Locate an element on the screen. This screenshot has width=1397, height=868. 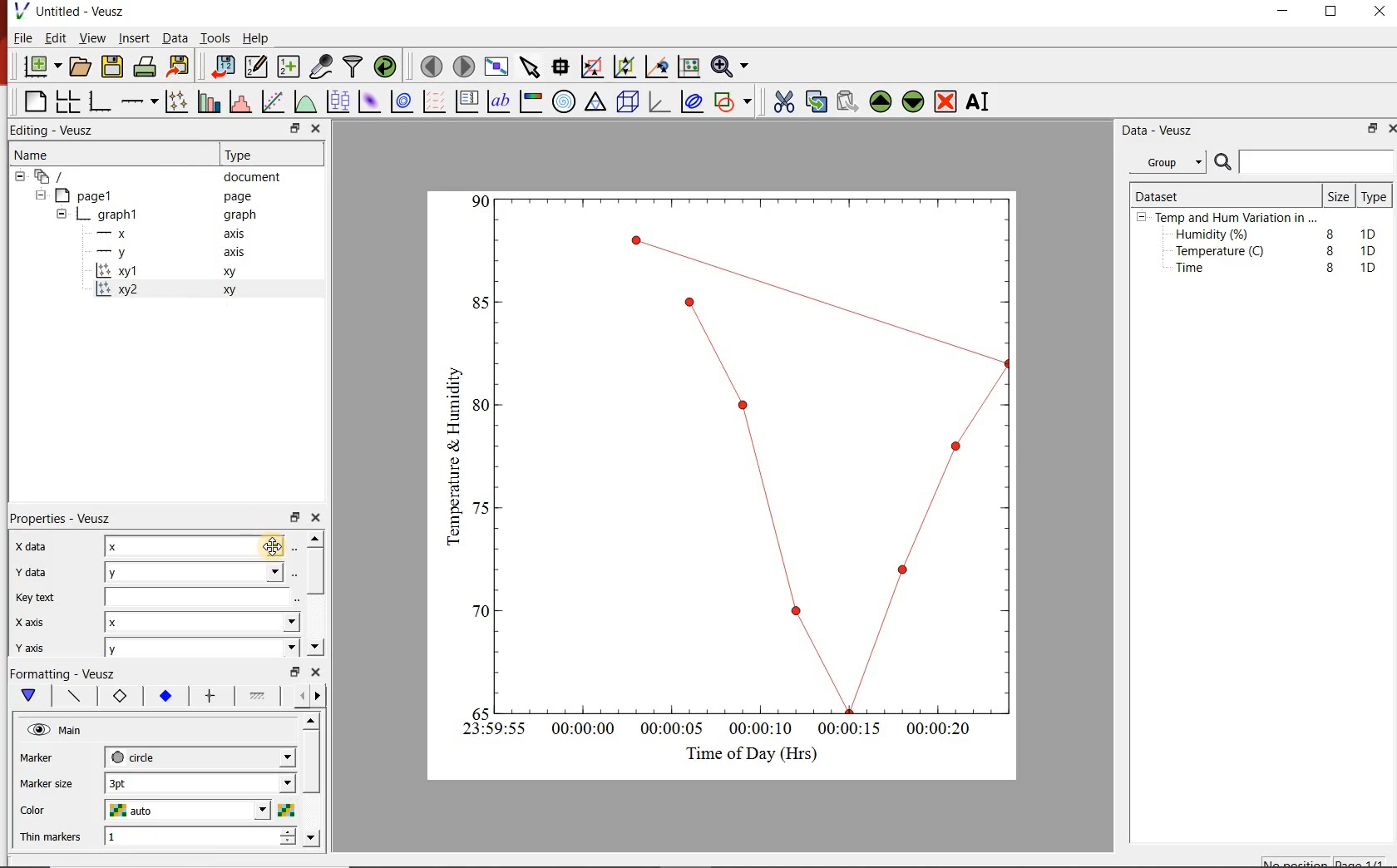
Thin Markers is located at coordinates (53, 838).